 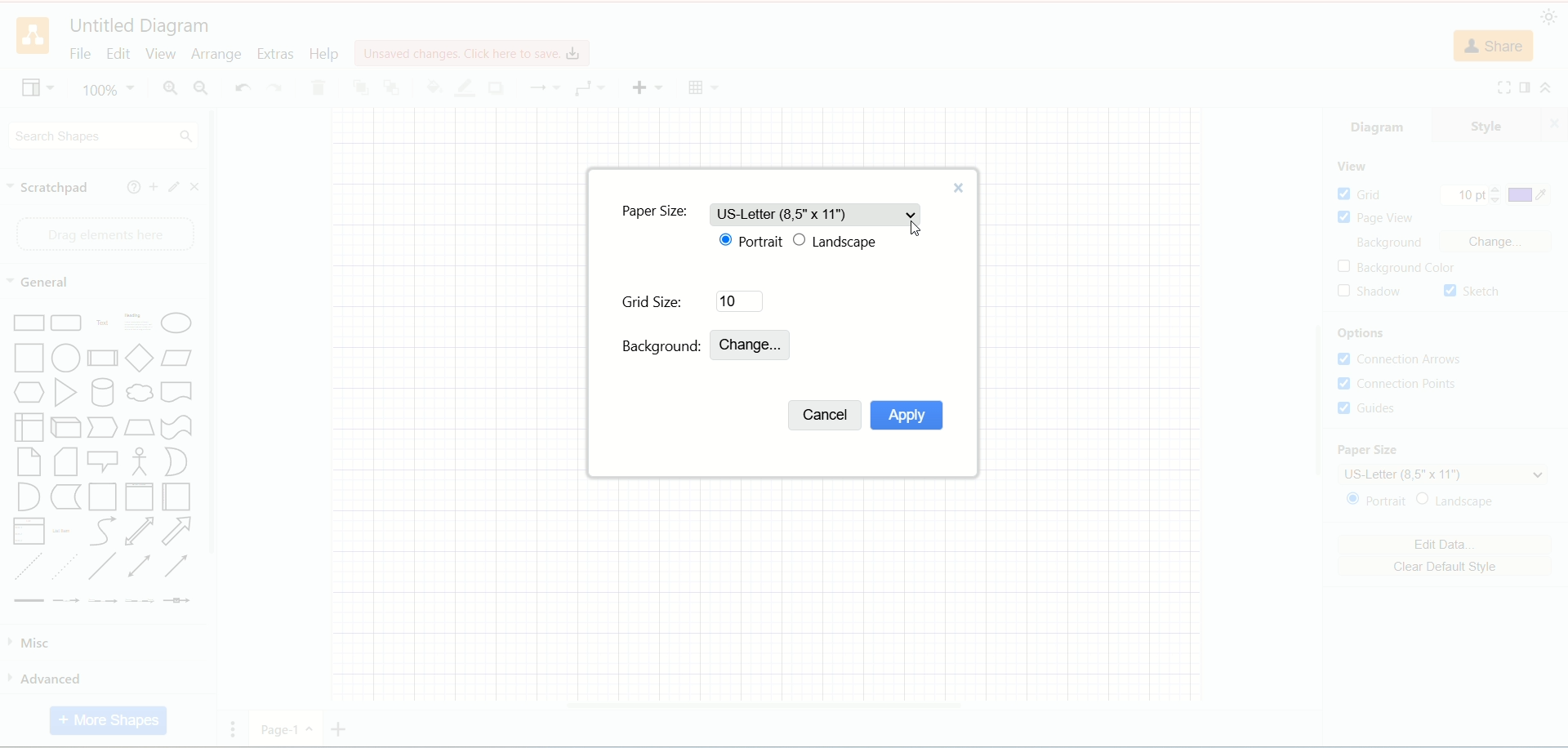 What do you see at coordinates (79, 54) in the screenshot?
I see `file` at bounding box center [79, 54].